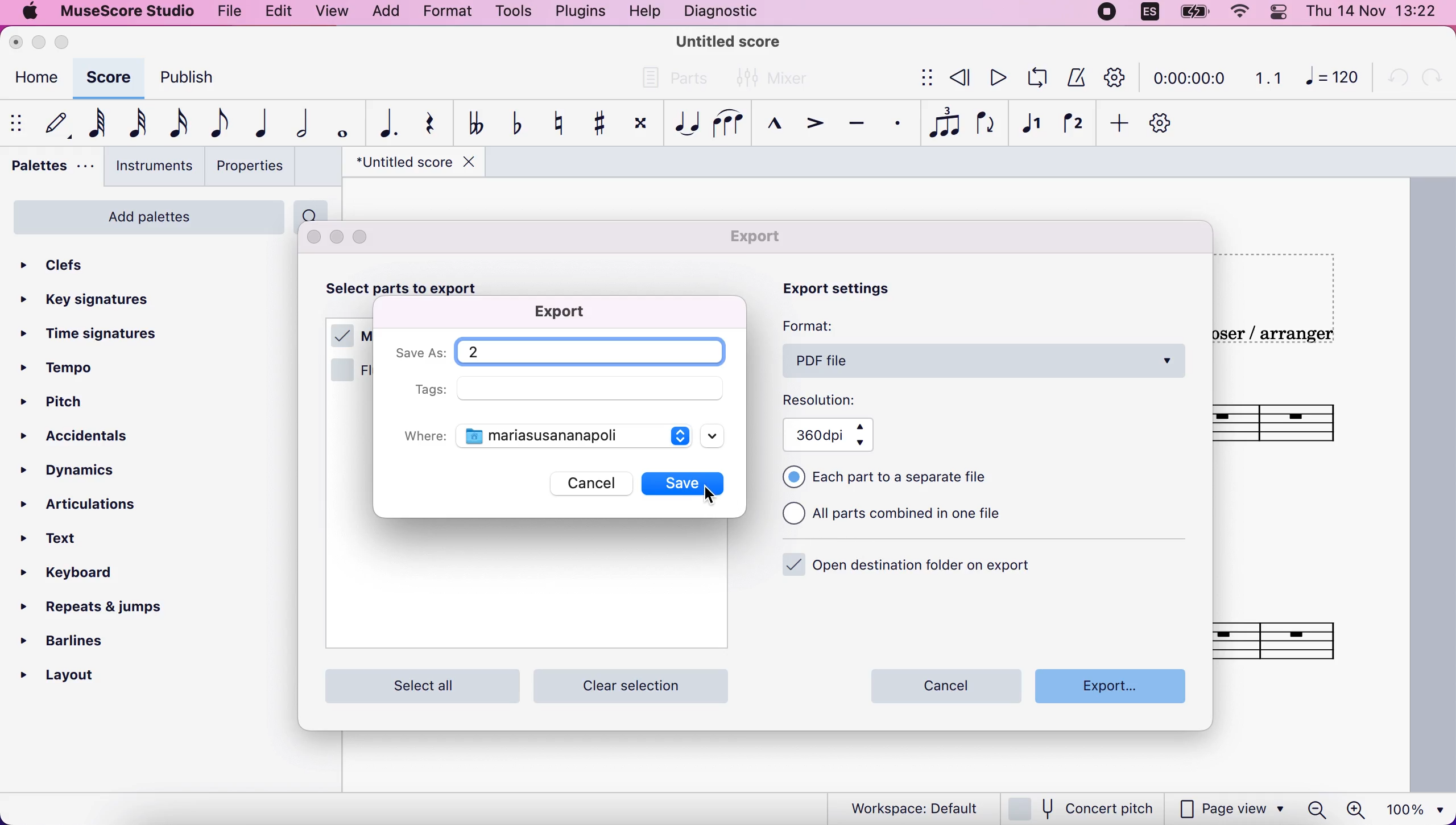 The height and width of the screenshot is (825, 1456). Describe the element at coordinates (1230, 13) in the screenshot. I see `wifi` at that location.